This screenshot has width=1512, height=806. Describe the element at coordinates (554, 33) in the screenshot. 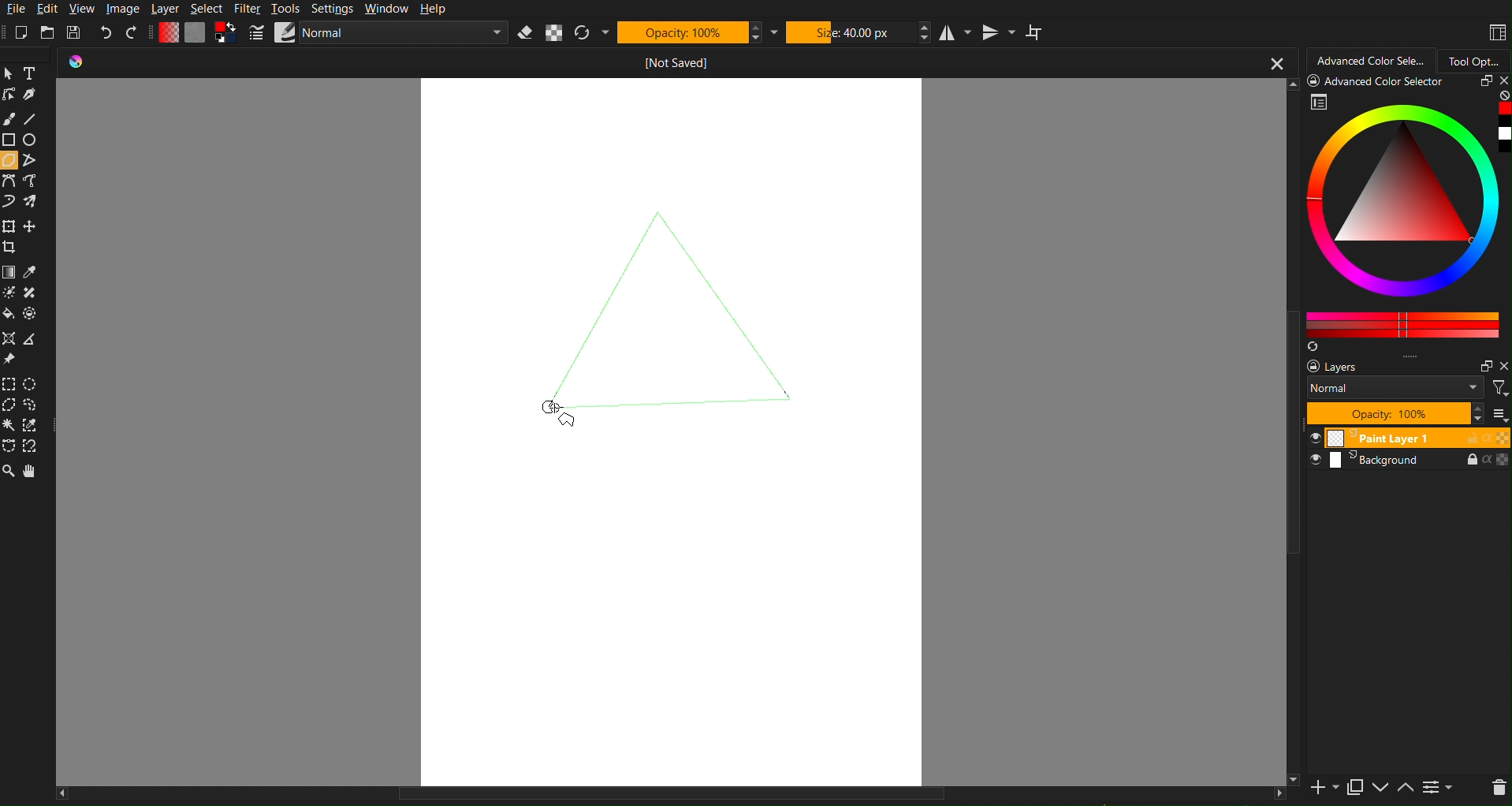

I see `Alpha` at that location.